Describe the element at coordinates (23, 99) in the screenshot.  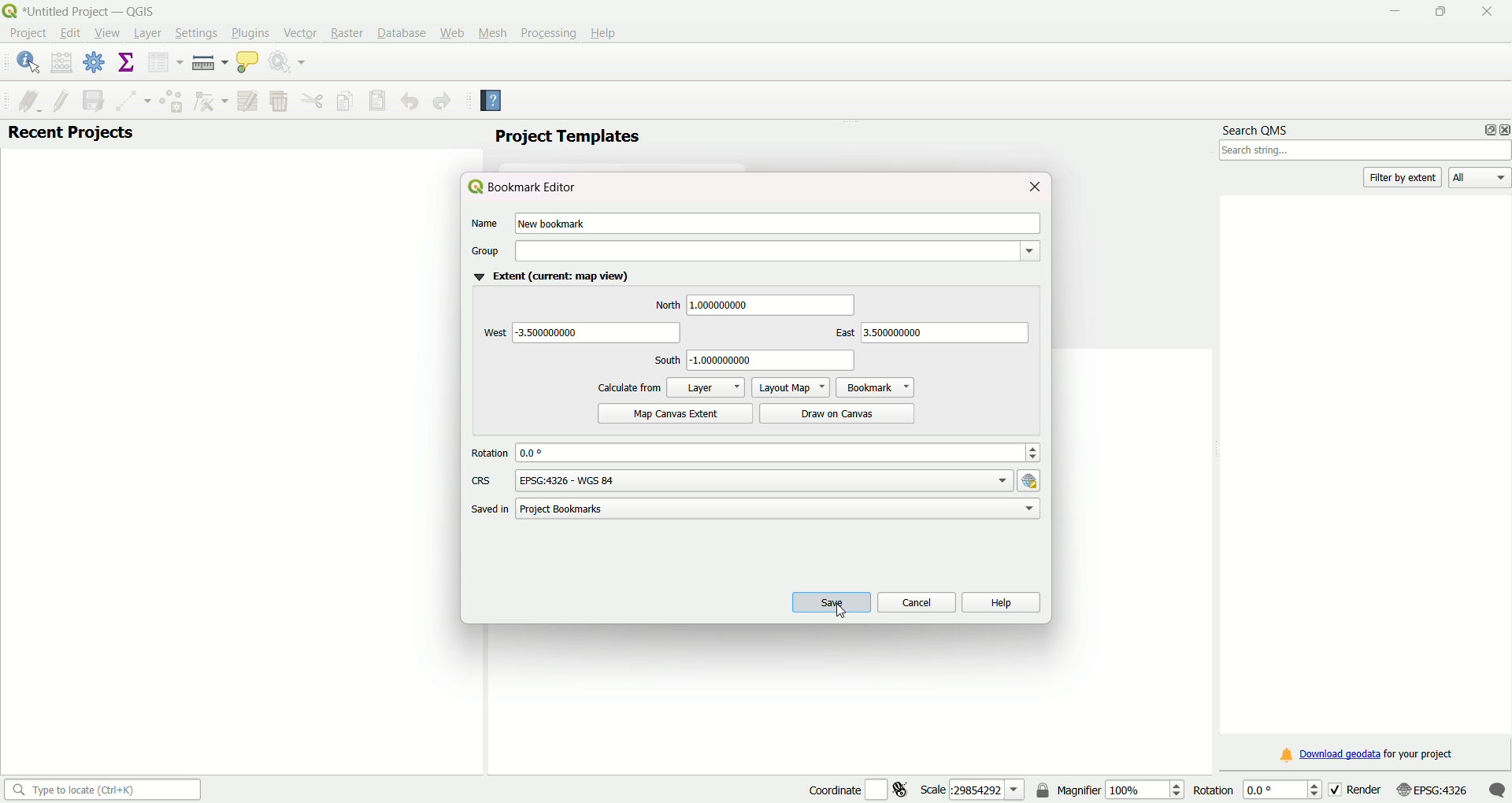
I see `current edit` at that location.